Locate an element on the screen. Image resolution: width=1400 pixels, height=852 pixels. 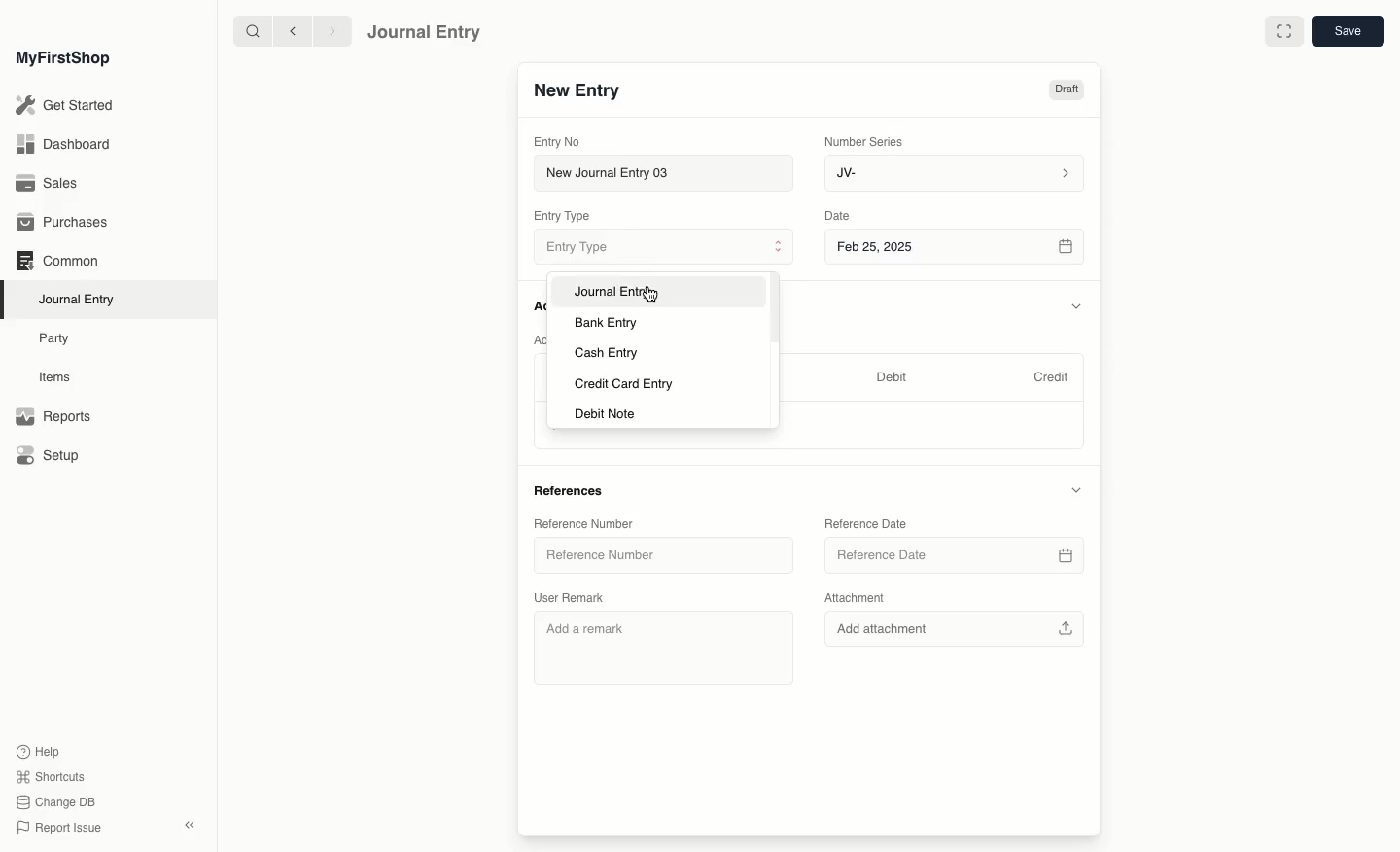
Help is located at coordinates (36, 750).